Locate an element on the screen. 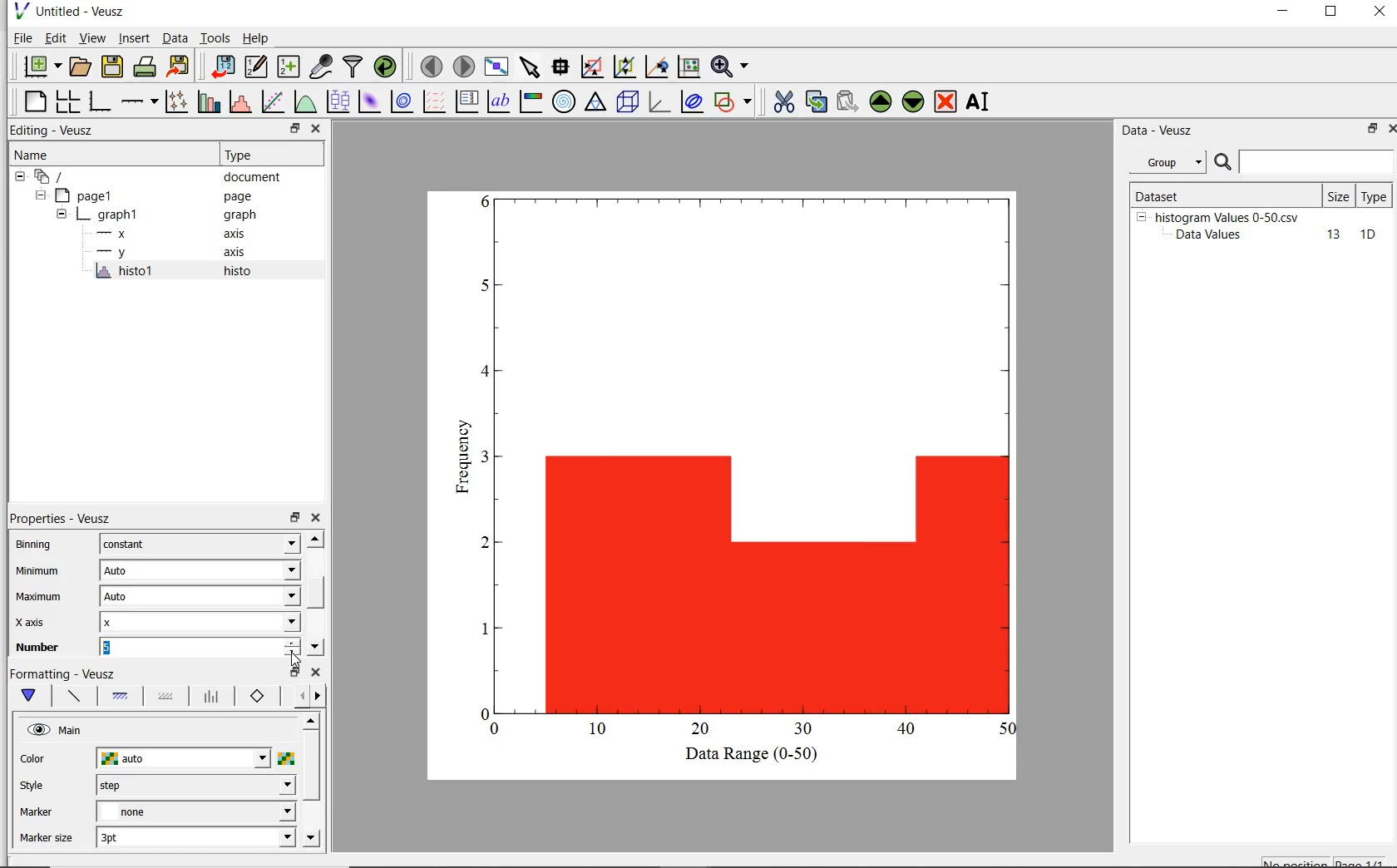 This screenshot has width=1397, height=868. plot 2d dataset as contours is located at coordinates (402, 101).